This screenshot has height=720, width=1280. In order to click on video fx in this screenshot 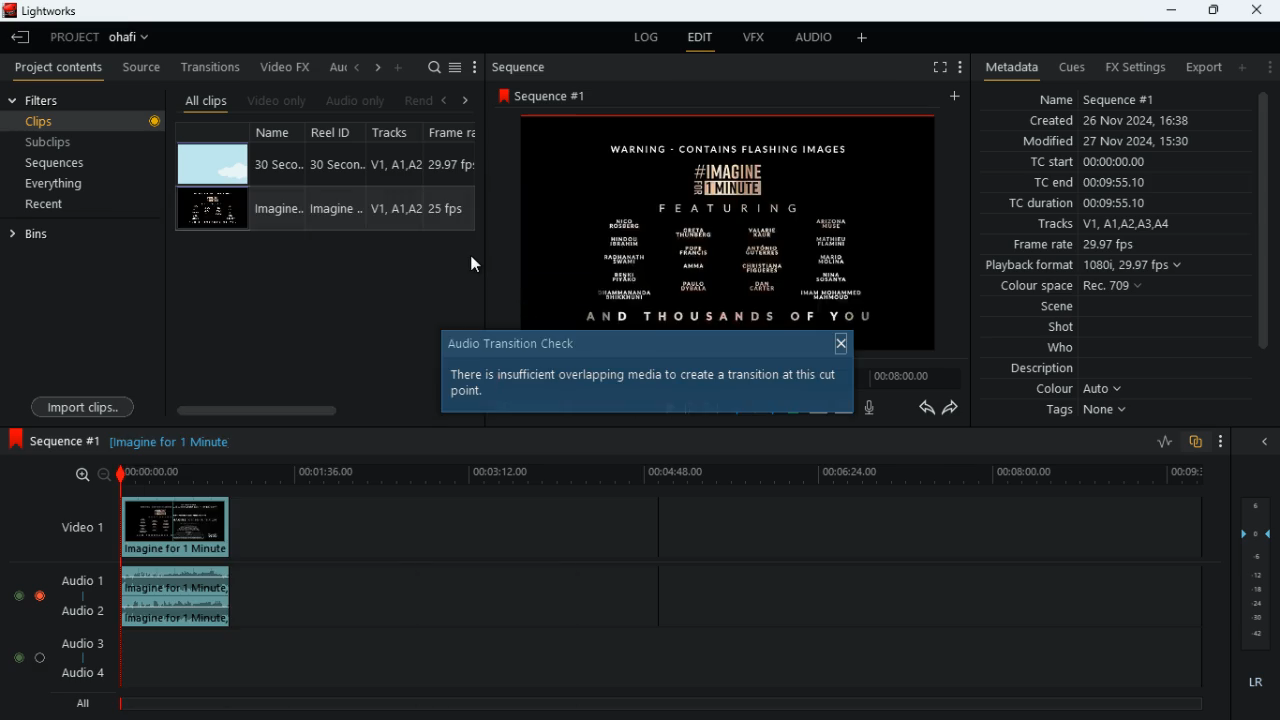, I will do `click(286, 68)`.